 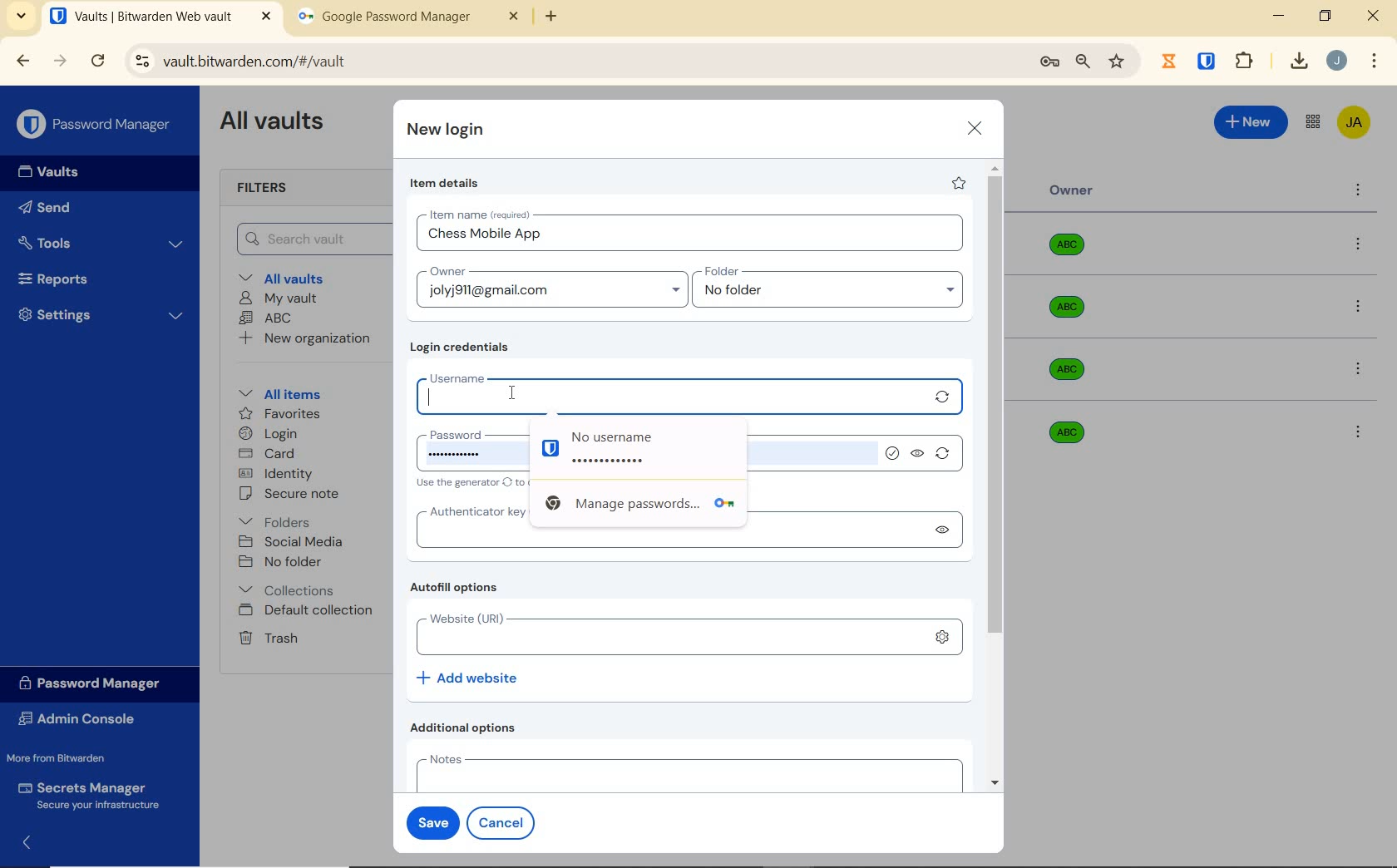 I want to click on Authenticator key, so click(x=466, y=510).